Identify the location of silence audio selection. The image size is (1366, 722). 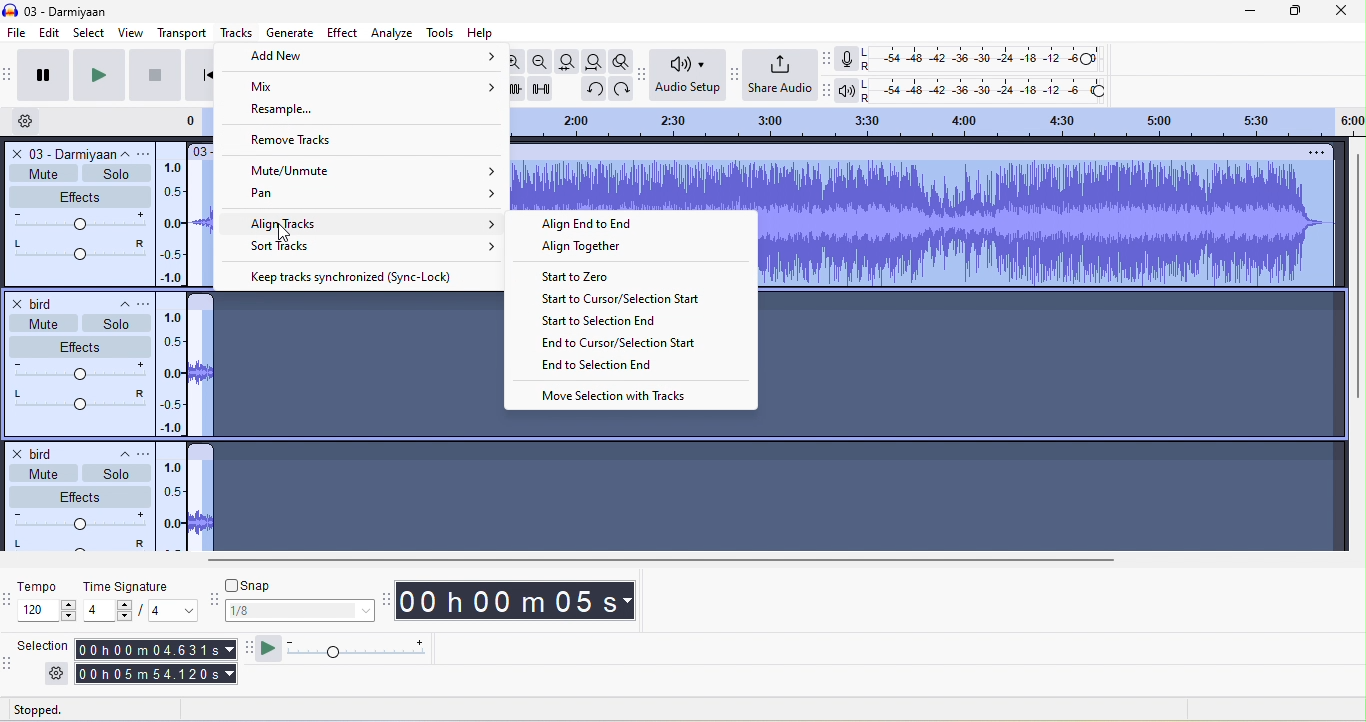
(545, 89).